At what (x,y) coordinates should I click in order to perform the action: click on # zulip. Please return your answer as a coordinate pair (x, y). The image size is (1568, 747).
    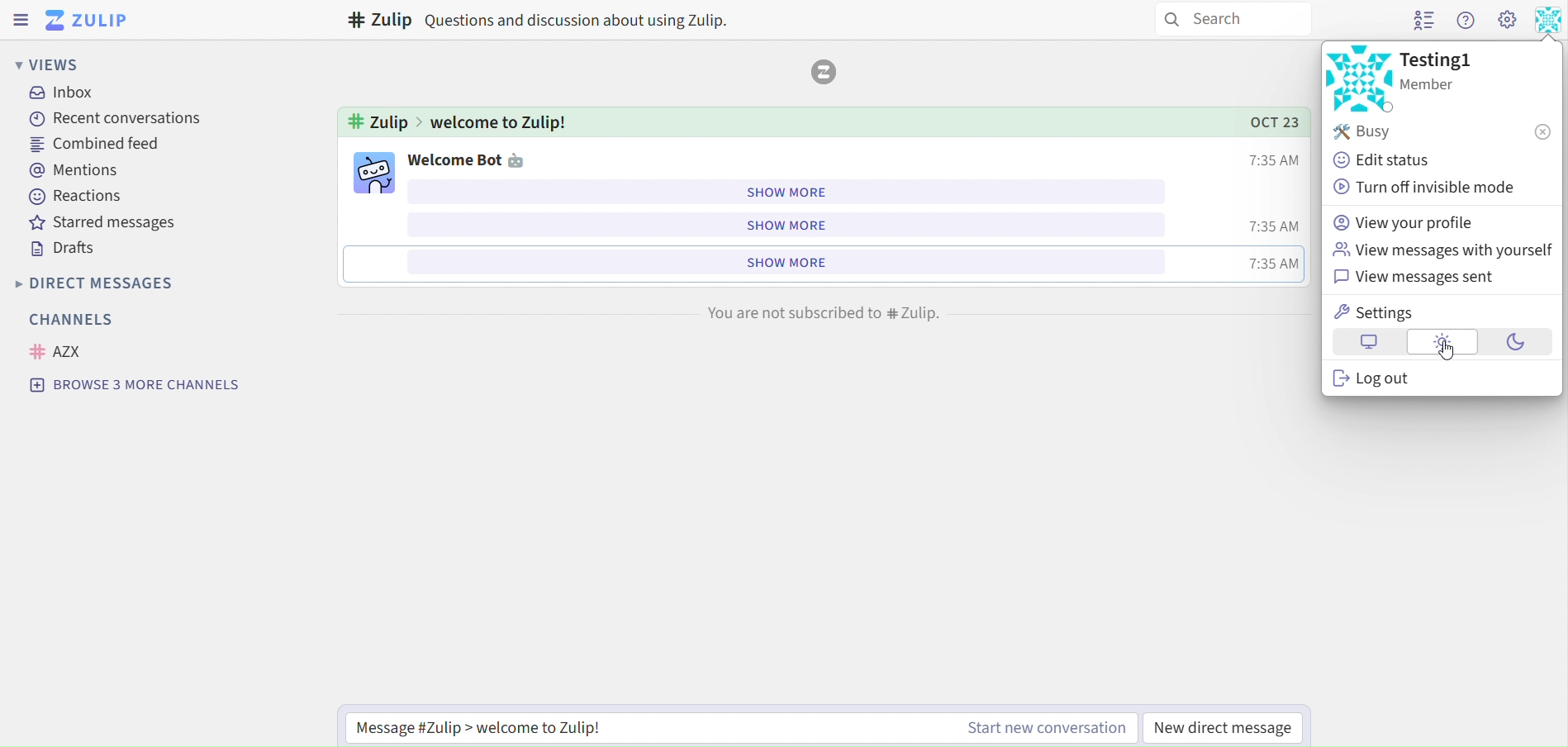
    Looking at the image, I should click on (379, 120).